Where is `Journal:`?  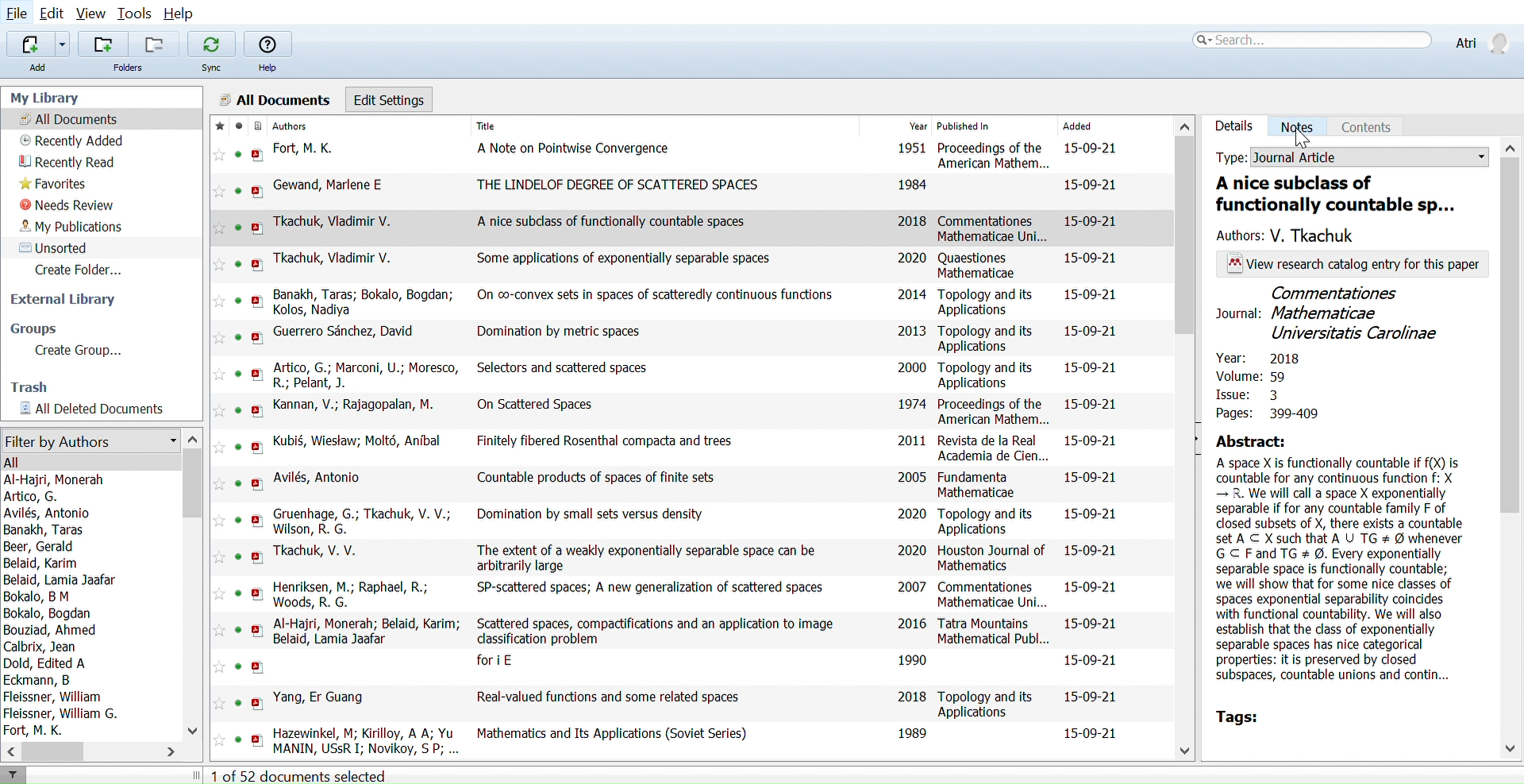
Journal: is located at coordinates (1237, 313).